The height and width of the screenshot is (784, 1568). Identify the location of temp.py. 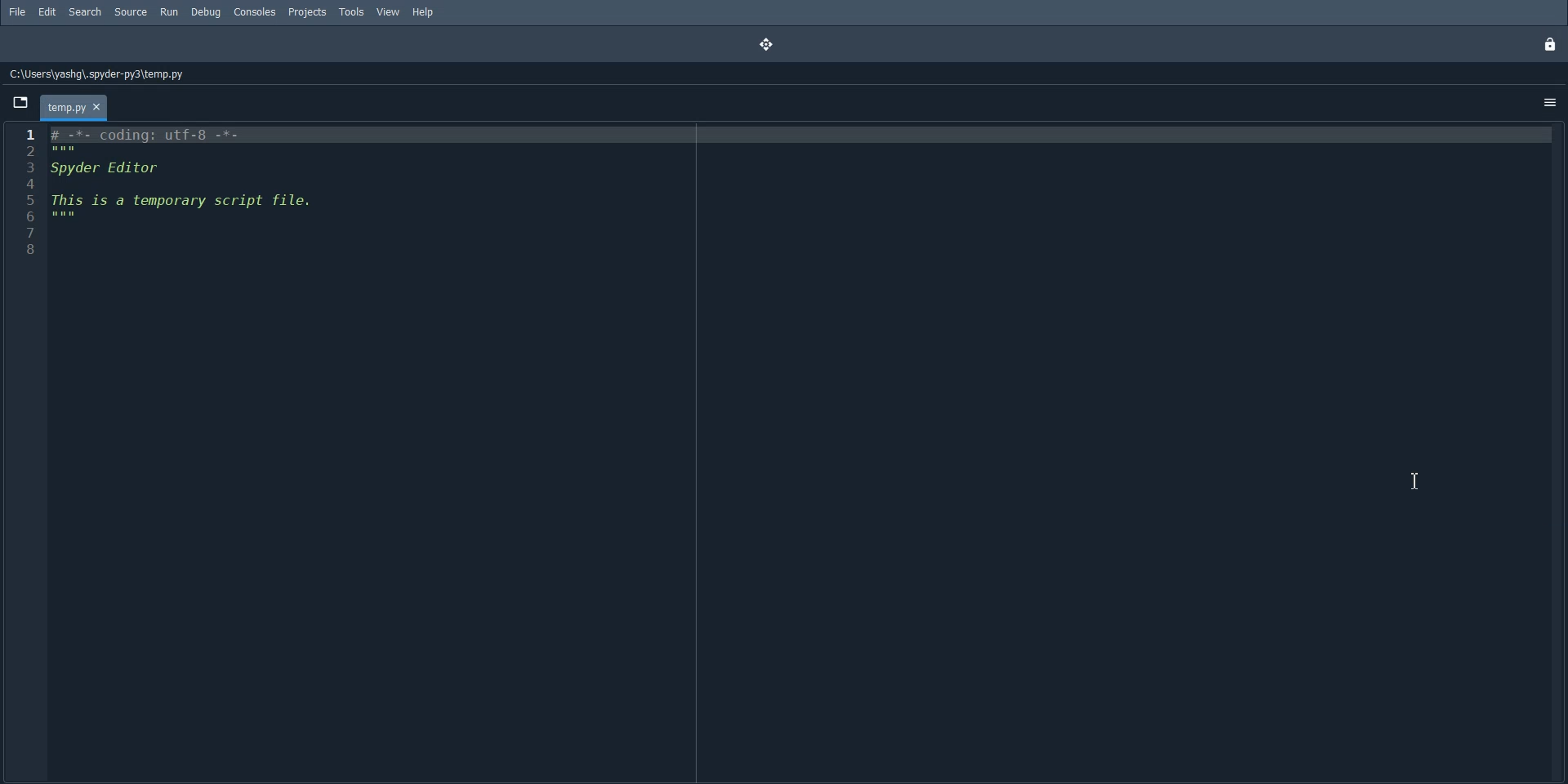
(75, 107).